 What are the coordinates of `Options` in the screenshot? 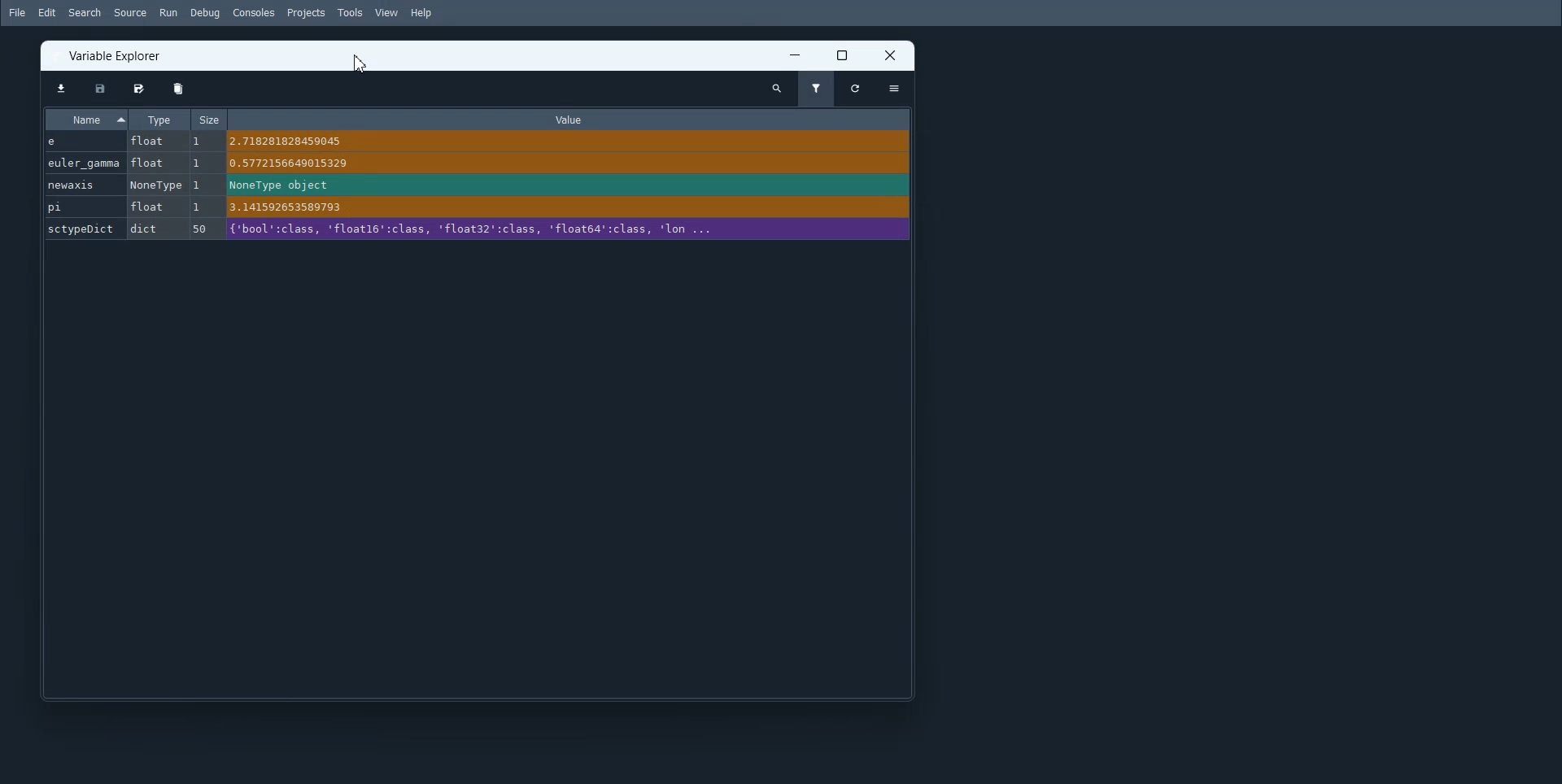 It's located at (894, 89).